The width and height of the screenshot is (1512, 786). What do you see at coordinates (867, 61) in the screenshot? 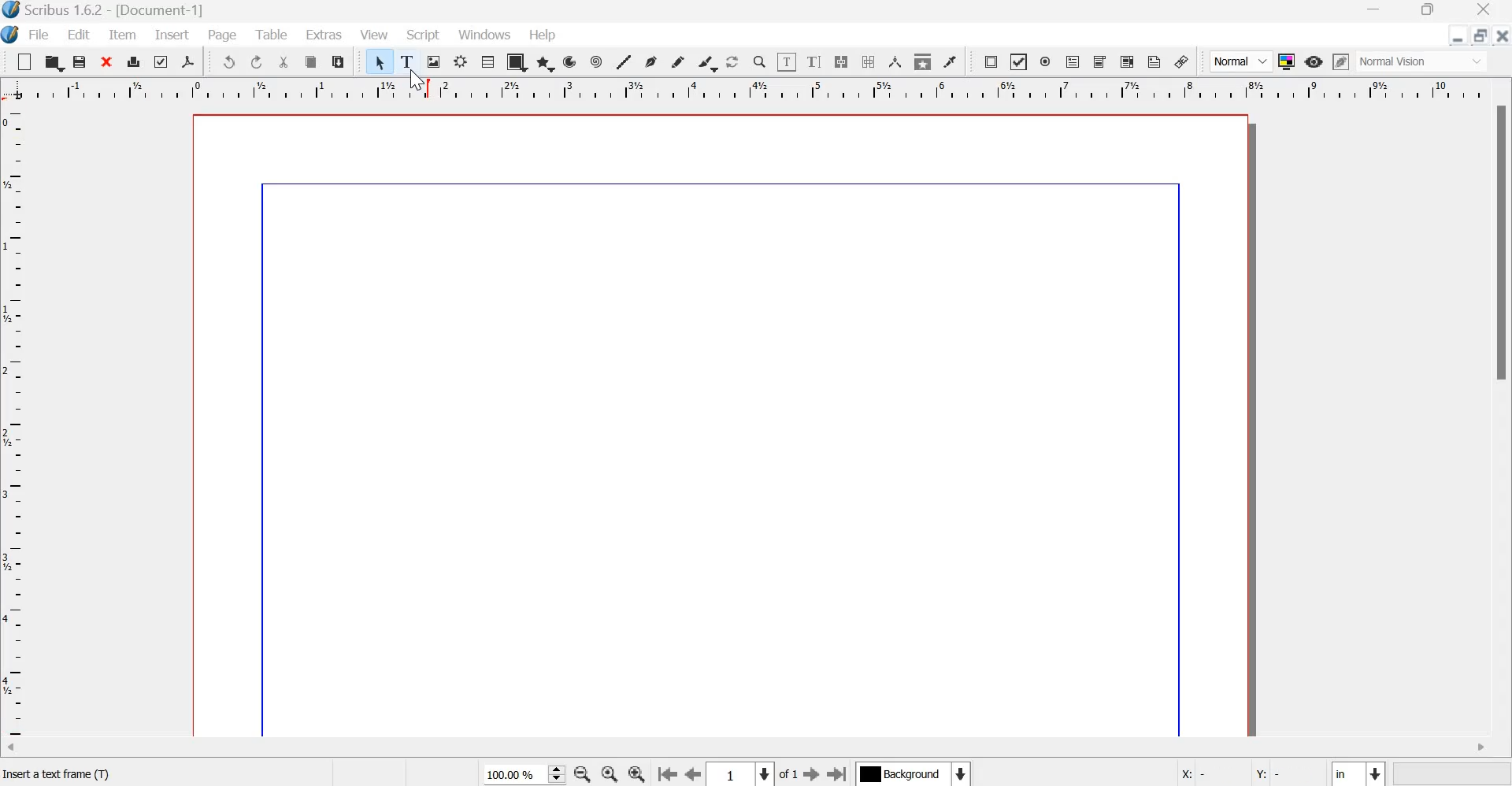
I see `unlink text frames` at bounding box center [867, 61].